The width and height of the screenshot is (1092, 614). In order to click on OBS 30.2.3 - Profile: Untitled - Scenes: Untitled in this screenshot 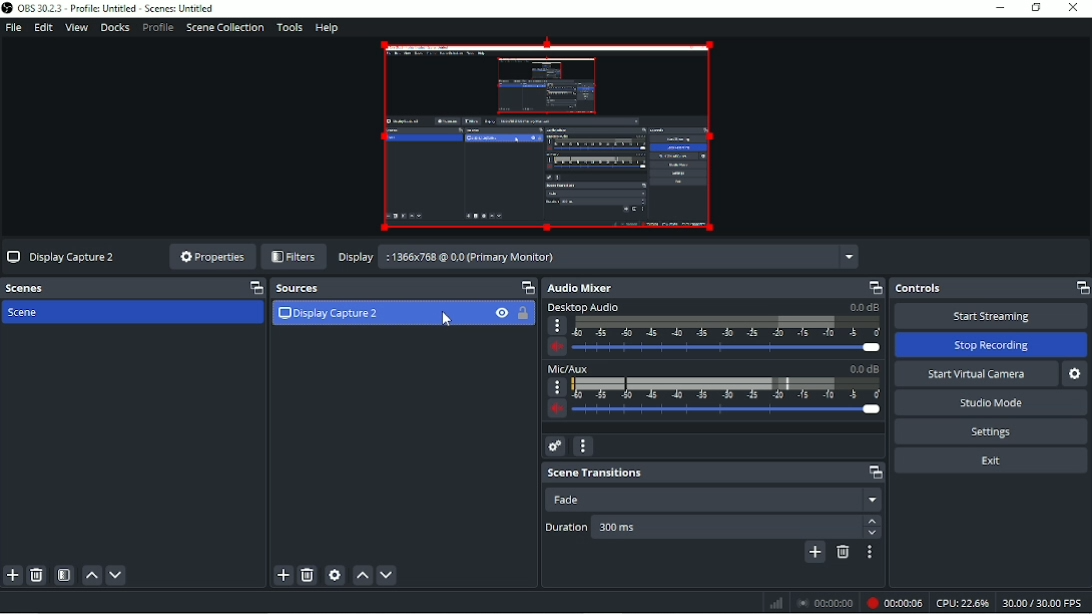, I will do `click(116, 8)`.